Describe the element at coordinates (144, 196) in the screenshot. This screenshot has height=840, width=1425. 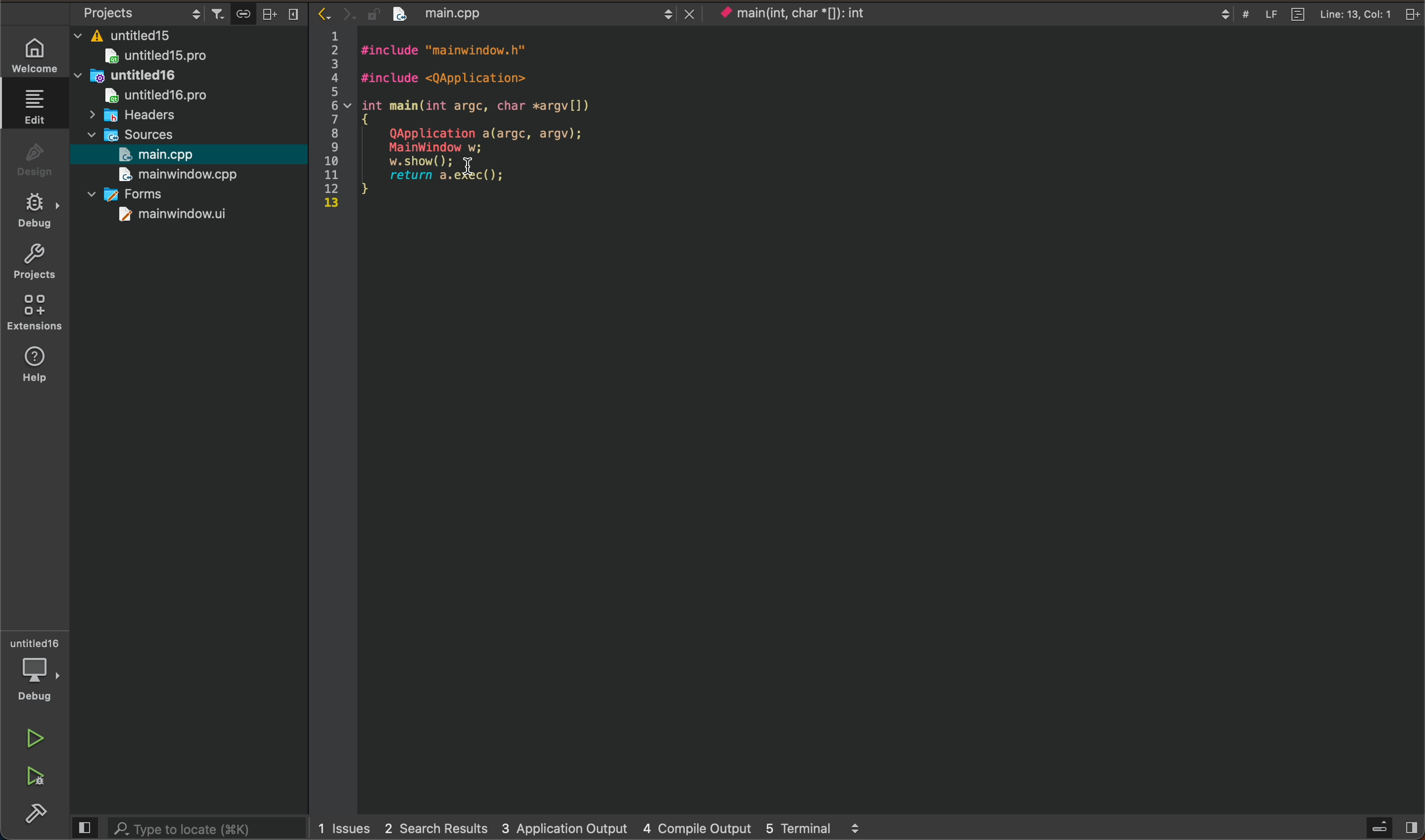
I see `forms` at that location.